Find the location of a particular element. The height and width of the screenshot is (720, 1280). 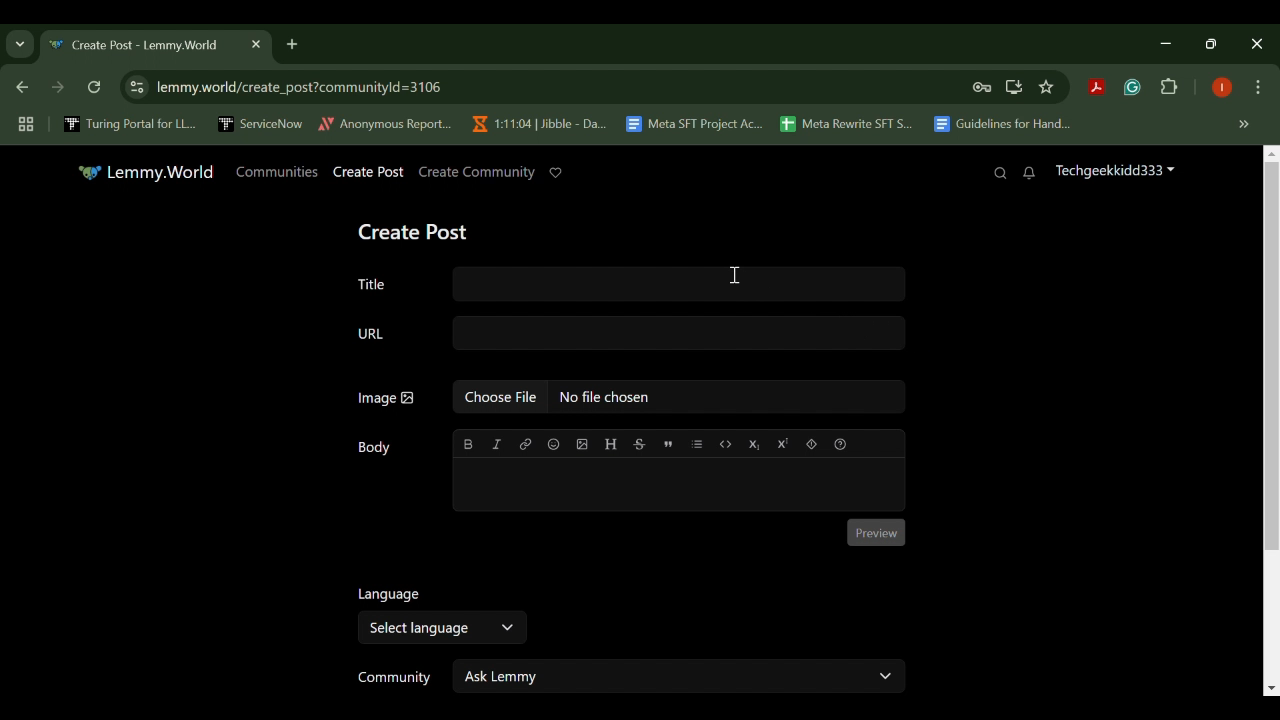

Community is located at coordinates (390, 678).